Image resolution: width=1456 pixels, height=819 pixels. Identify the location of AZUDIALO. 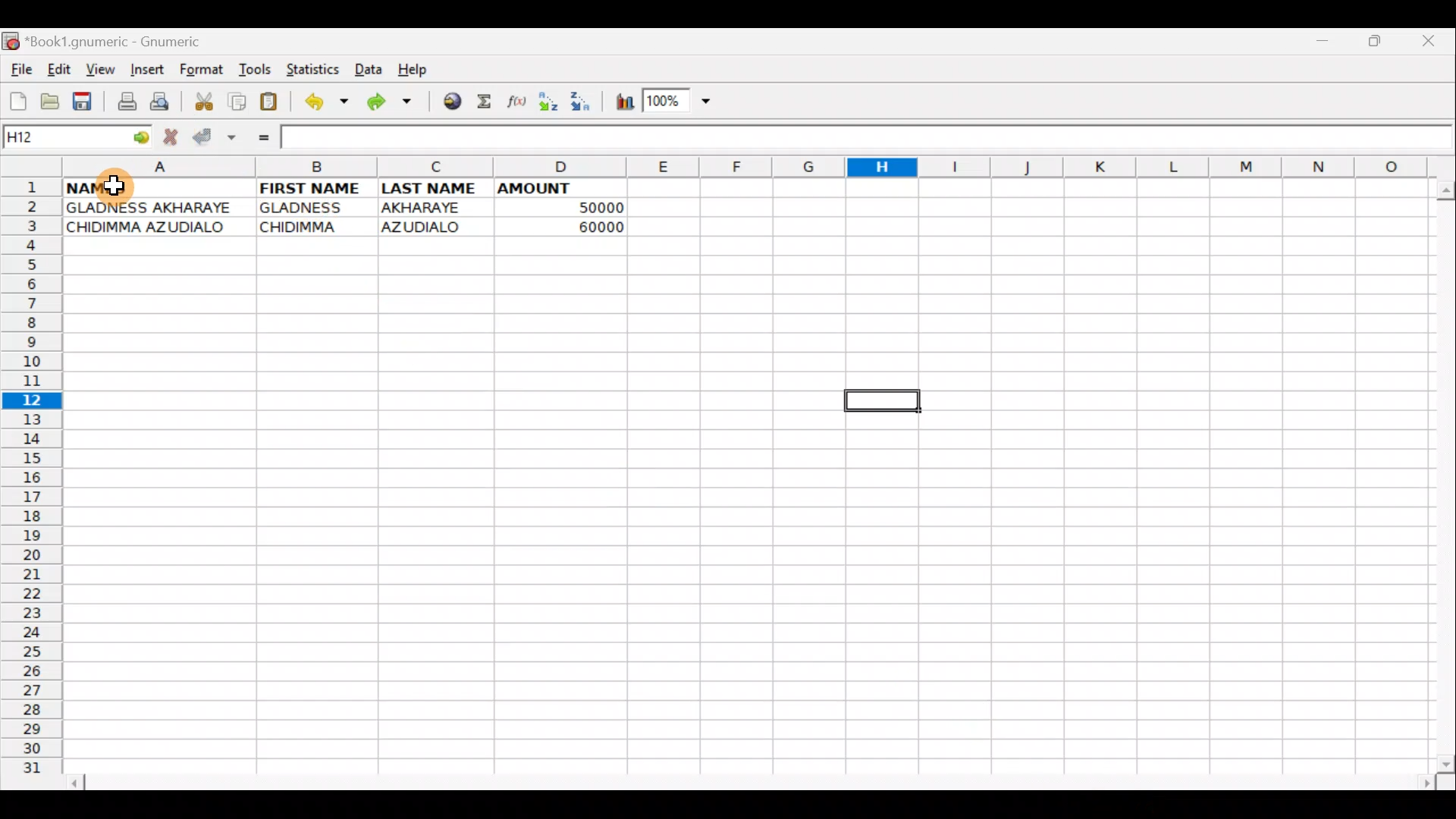
(429, 229).